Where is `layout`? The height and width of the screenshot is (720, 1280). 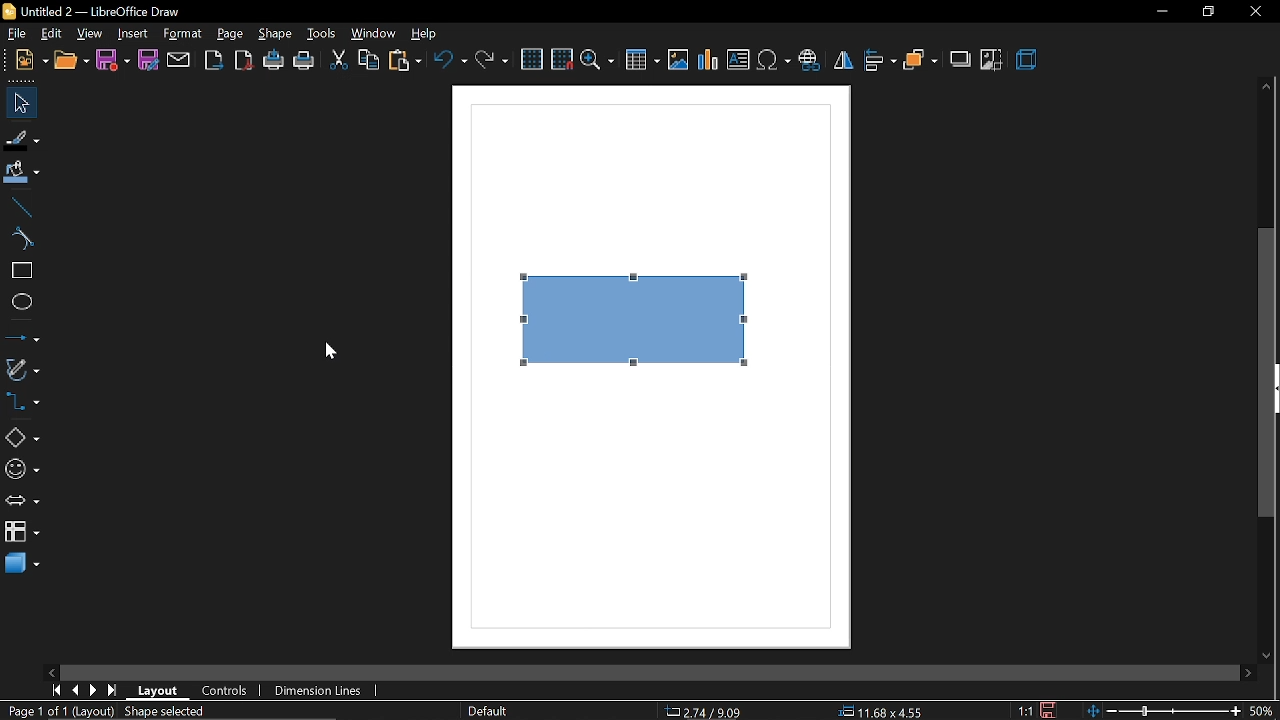 layout is located at coordinates (158, 691).